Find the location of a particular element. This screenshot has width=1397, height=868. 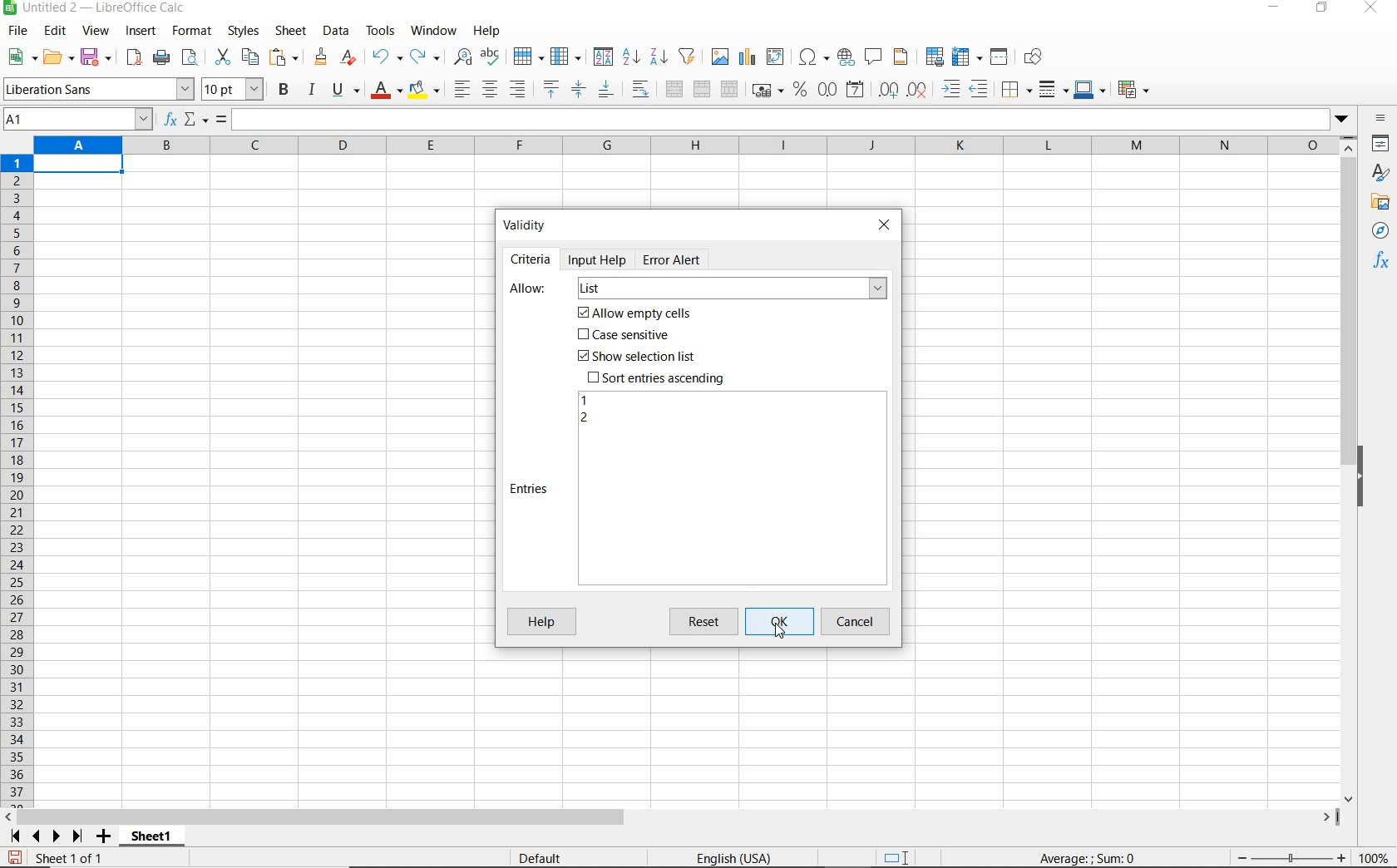

border style is located at coordinates (1054, 89).